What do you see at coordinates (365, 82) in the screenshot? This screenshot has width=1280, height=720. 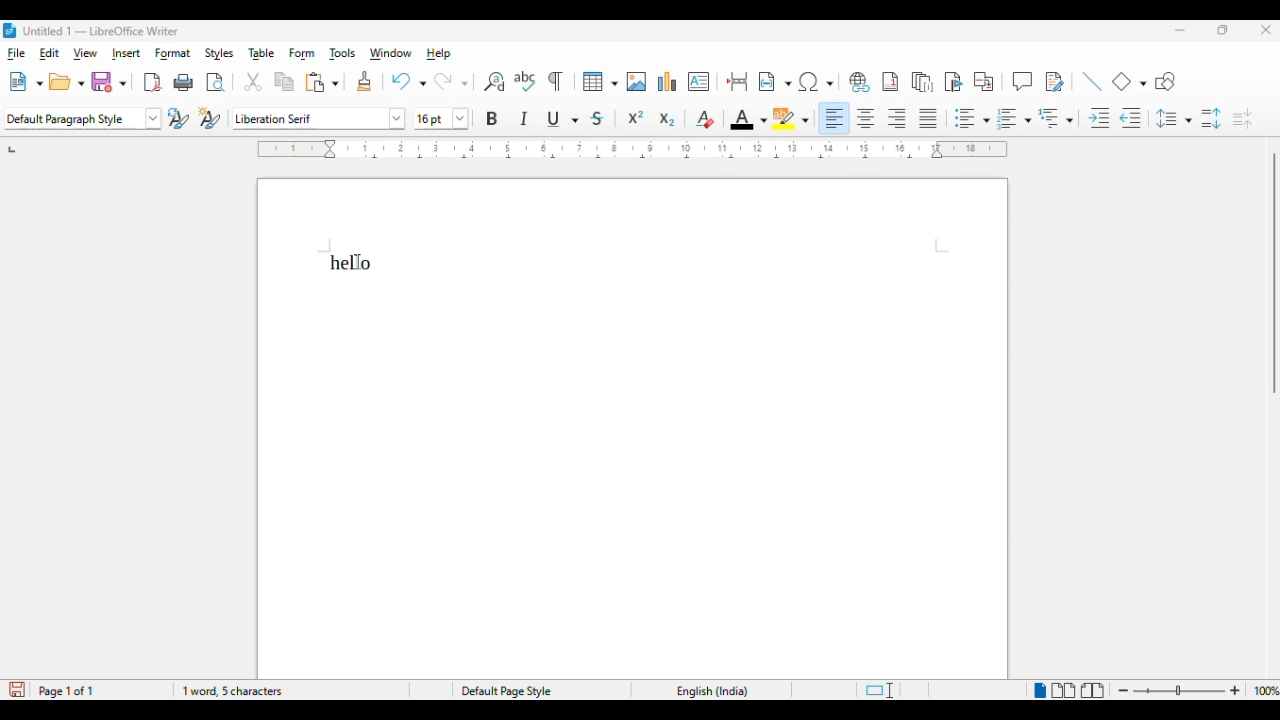 I see `clone formatting` at bounding box center [365, 82].